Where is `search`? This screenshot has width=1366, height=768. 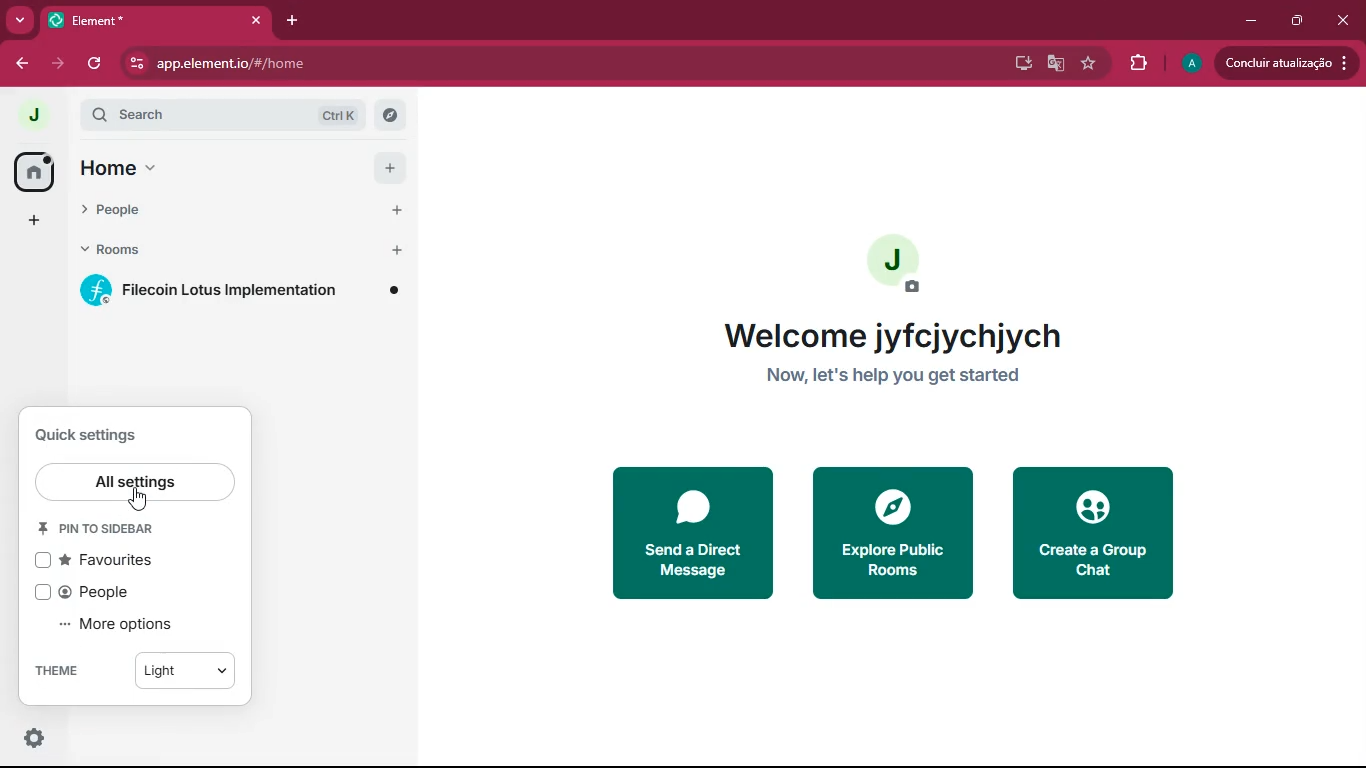
search is located at coordinates (224, 114).